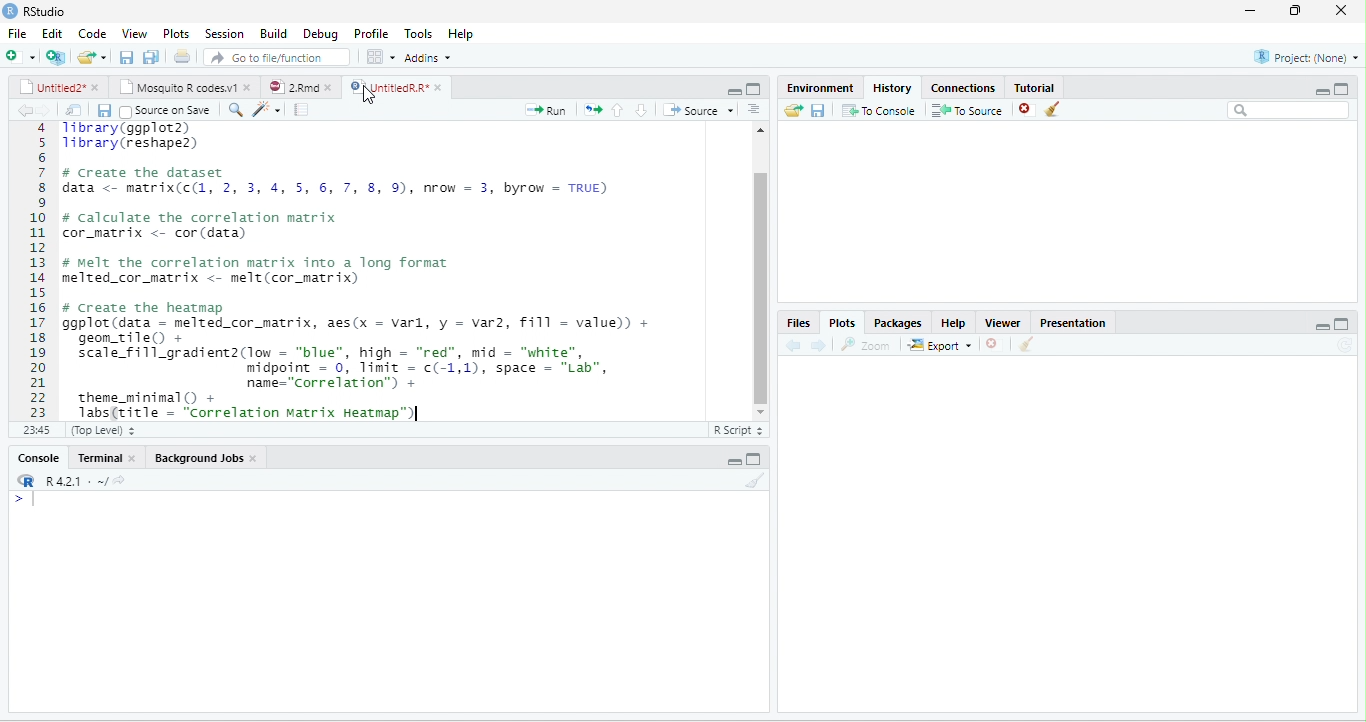  Describe the element at coordinates (72, 481) in the screenshot. I see `R` at that location.